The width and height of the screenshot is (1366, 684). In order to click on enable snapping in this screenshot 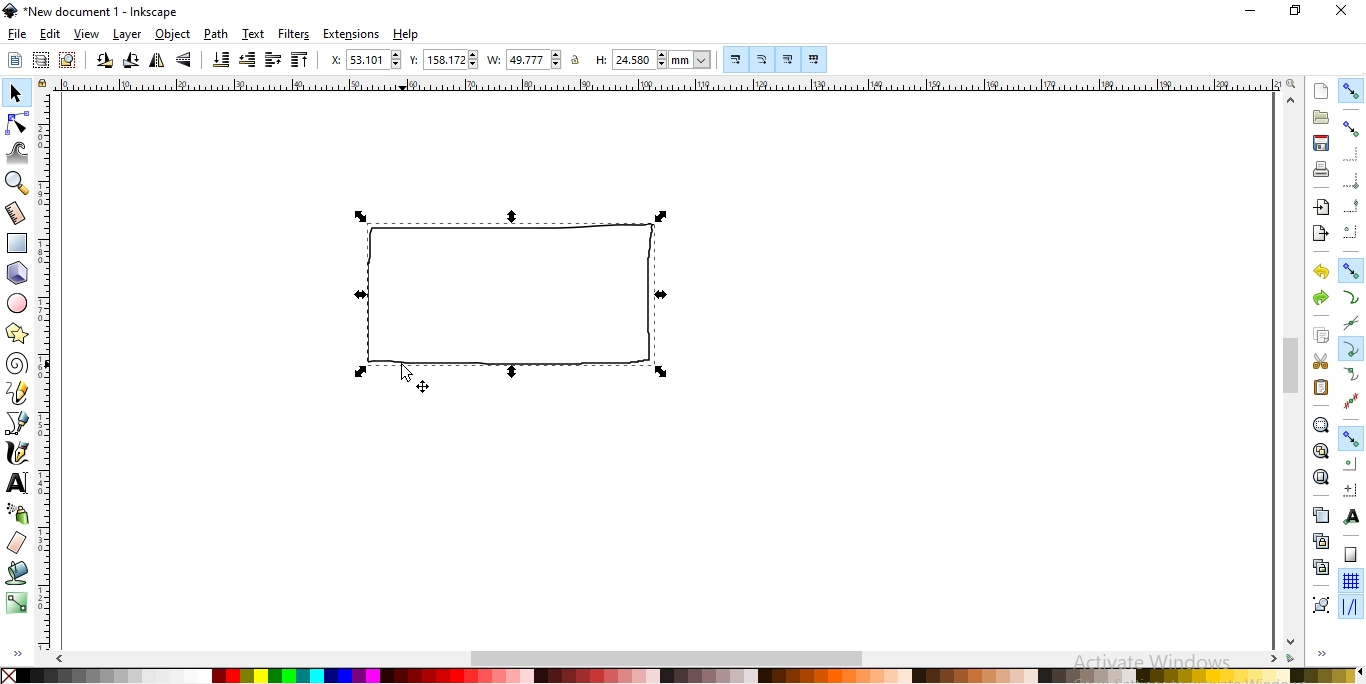, I will do `click(1351, 91)`.